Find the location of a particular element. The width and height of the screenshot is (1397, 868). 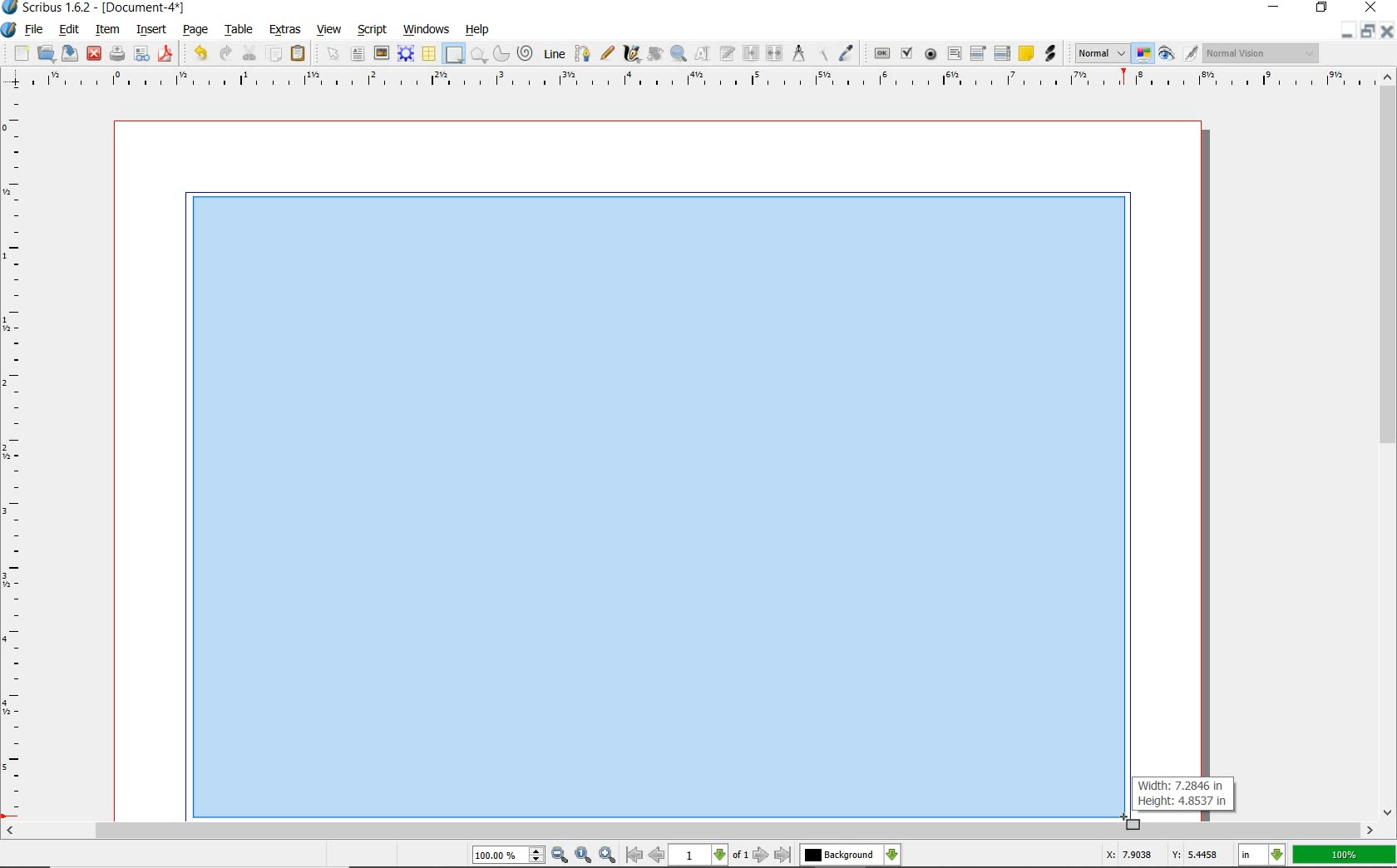

save is located at coordinates (71, 54).